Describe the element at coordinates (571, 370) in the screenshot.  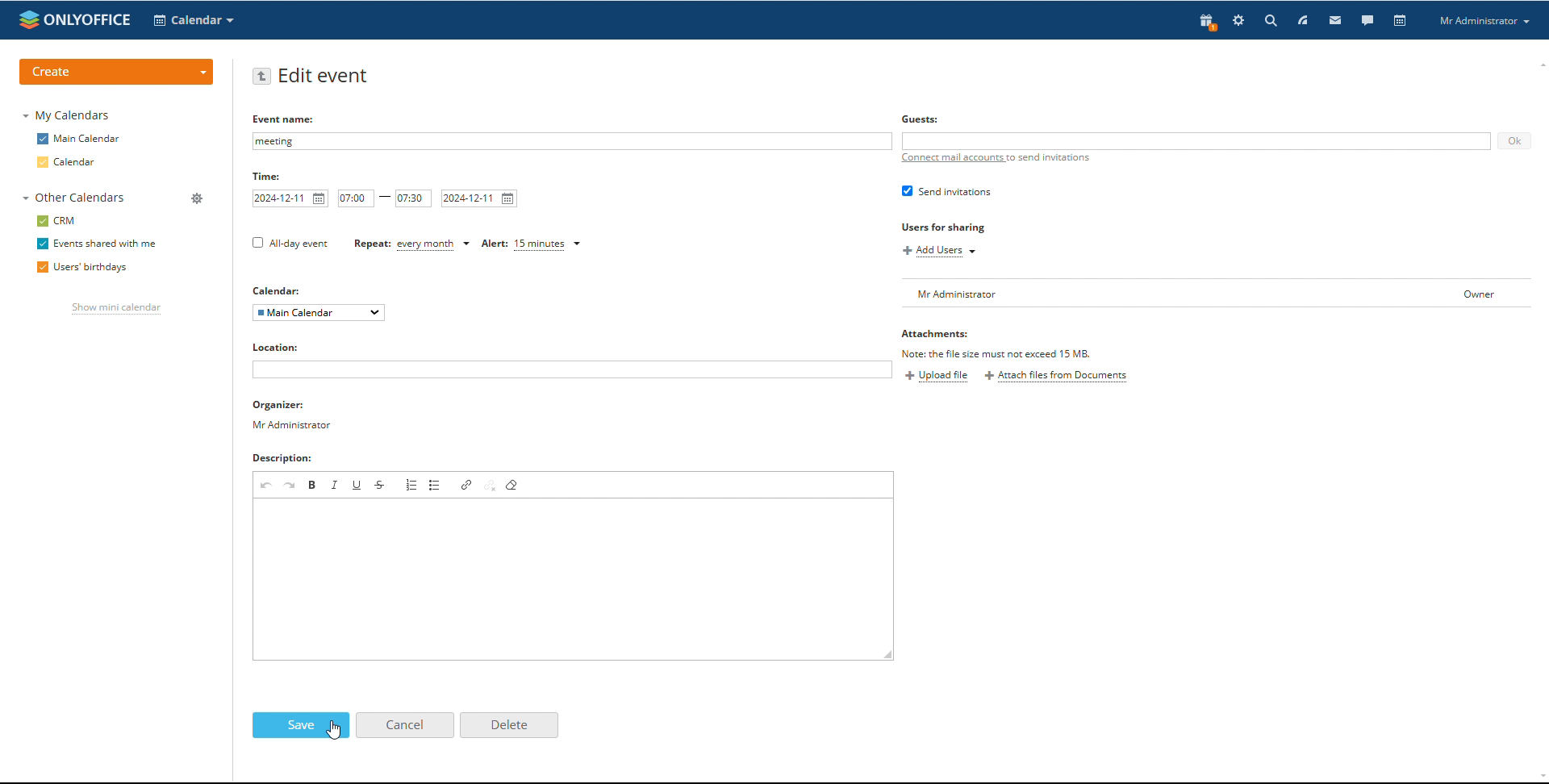
I see `add location` at that location.